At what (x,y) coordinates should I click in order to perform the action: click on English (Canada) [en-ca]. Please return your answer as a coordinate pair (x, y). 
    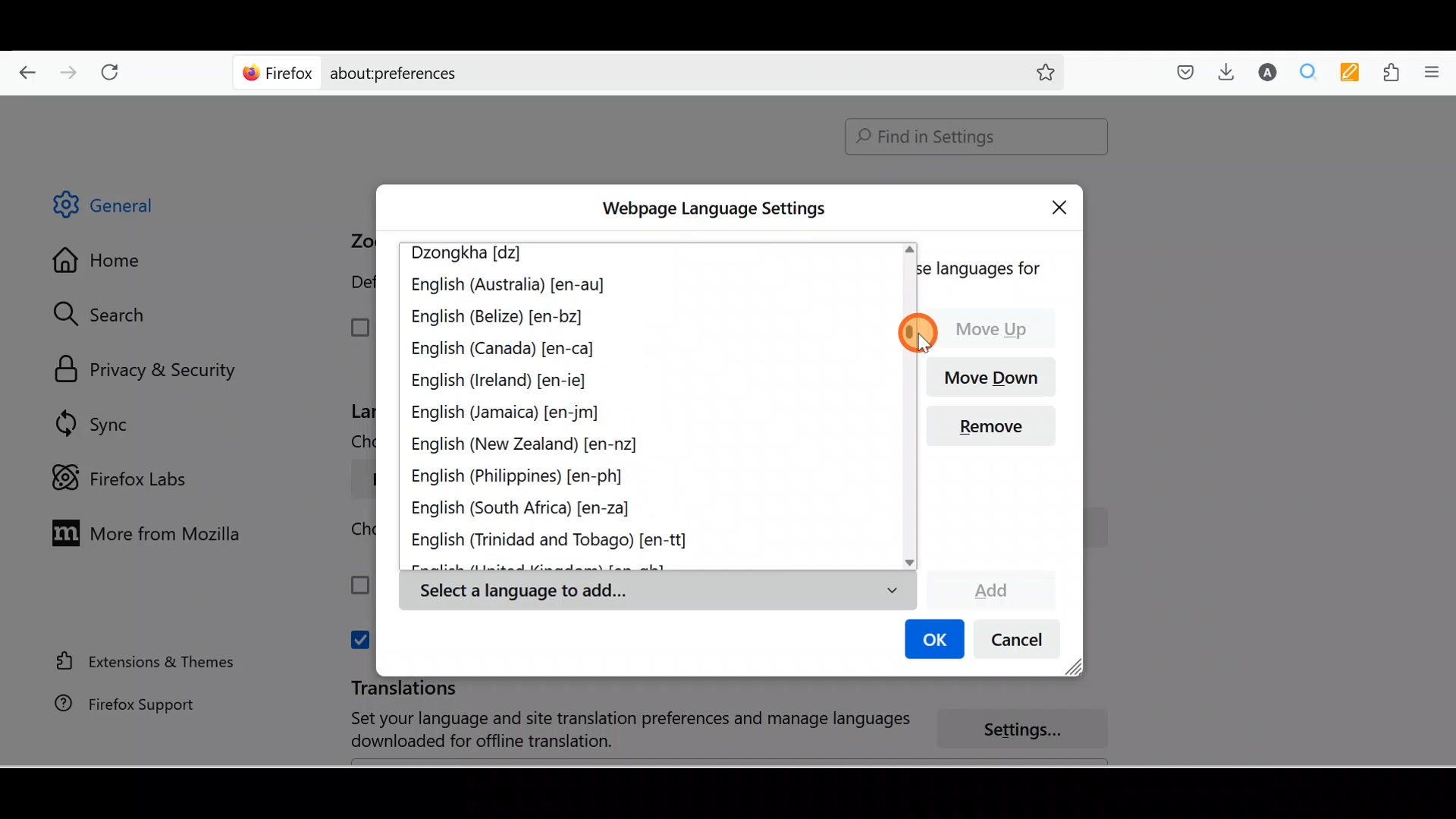
    Looking at the image, I should click on (504, 347).